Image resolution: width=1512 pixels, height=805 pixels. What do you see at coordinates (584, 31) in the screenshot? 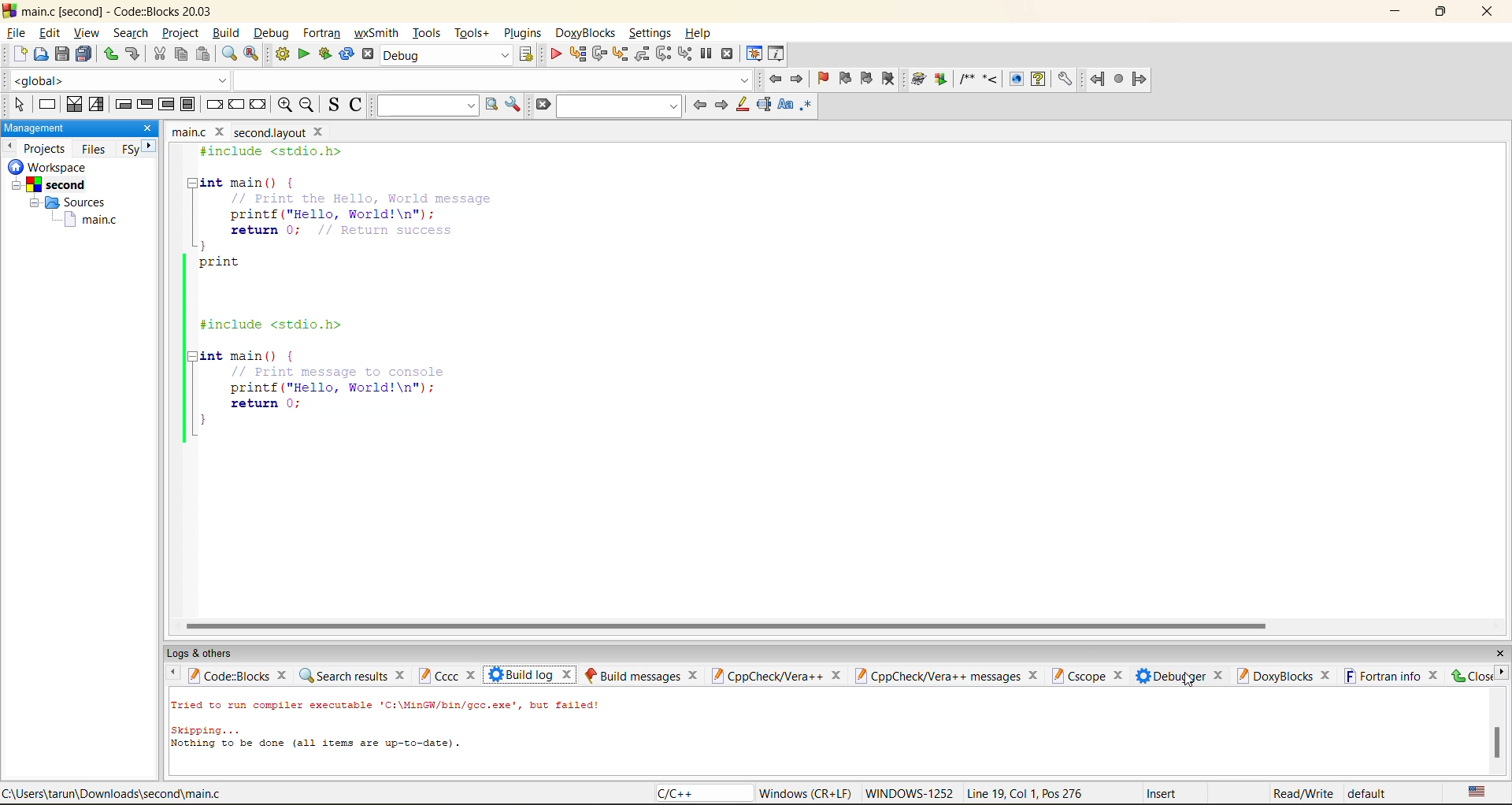
I see `doxyblocks` at bounding box center [584, 31].